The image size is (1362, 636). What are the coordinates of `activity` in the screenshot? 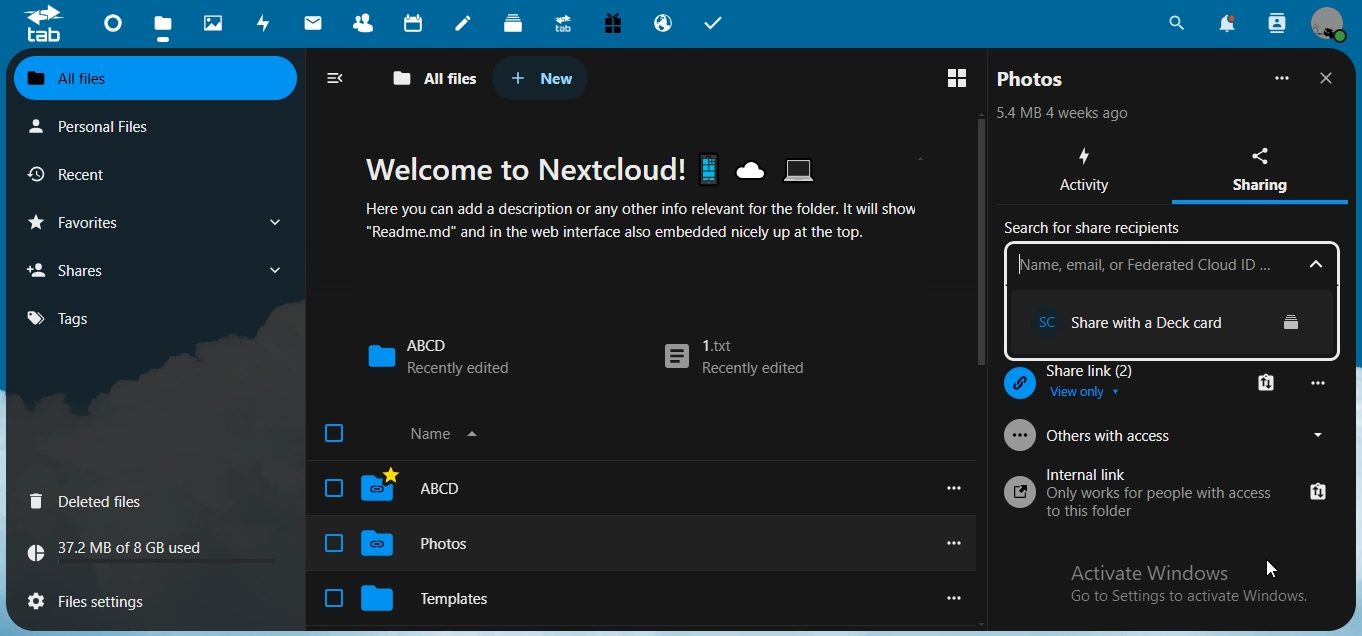 It's located at (1088, 172).